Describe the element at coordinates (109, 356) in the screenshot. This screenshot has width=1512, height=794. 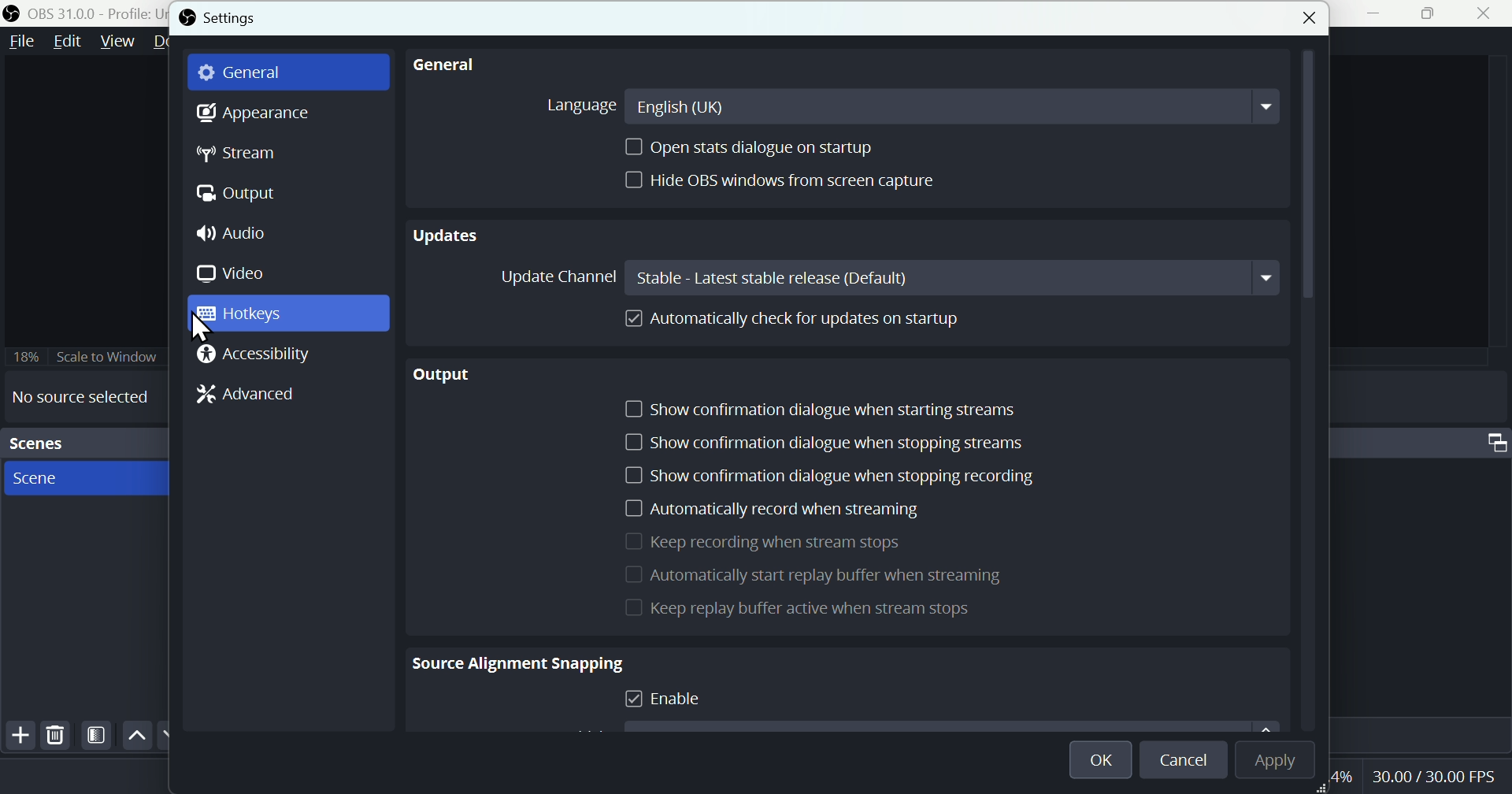
I see `Scale to window` at that location.